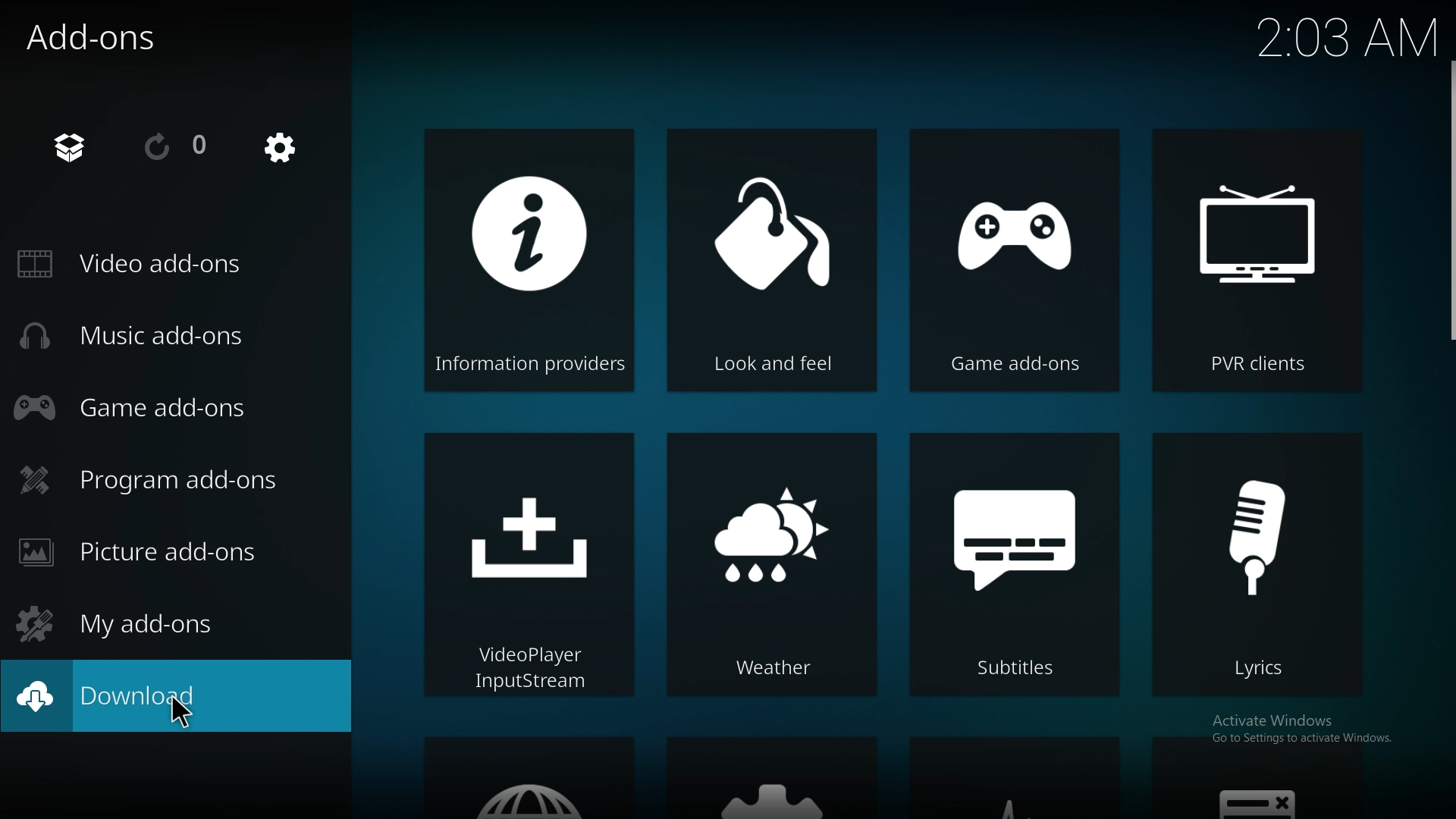 The height and width of the screenshot is (819, 1456). What do you see at coordinates (771, 777) in the screenshot?
I see `services` at bounding box center [771, 777].